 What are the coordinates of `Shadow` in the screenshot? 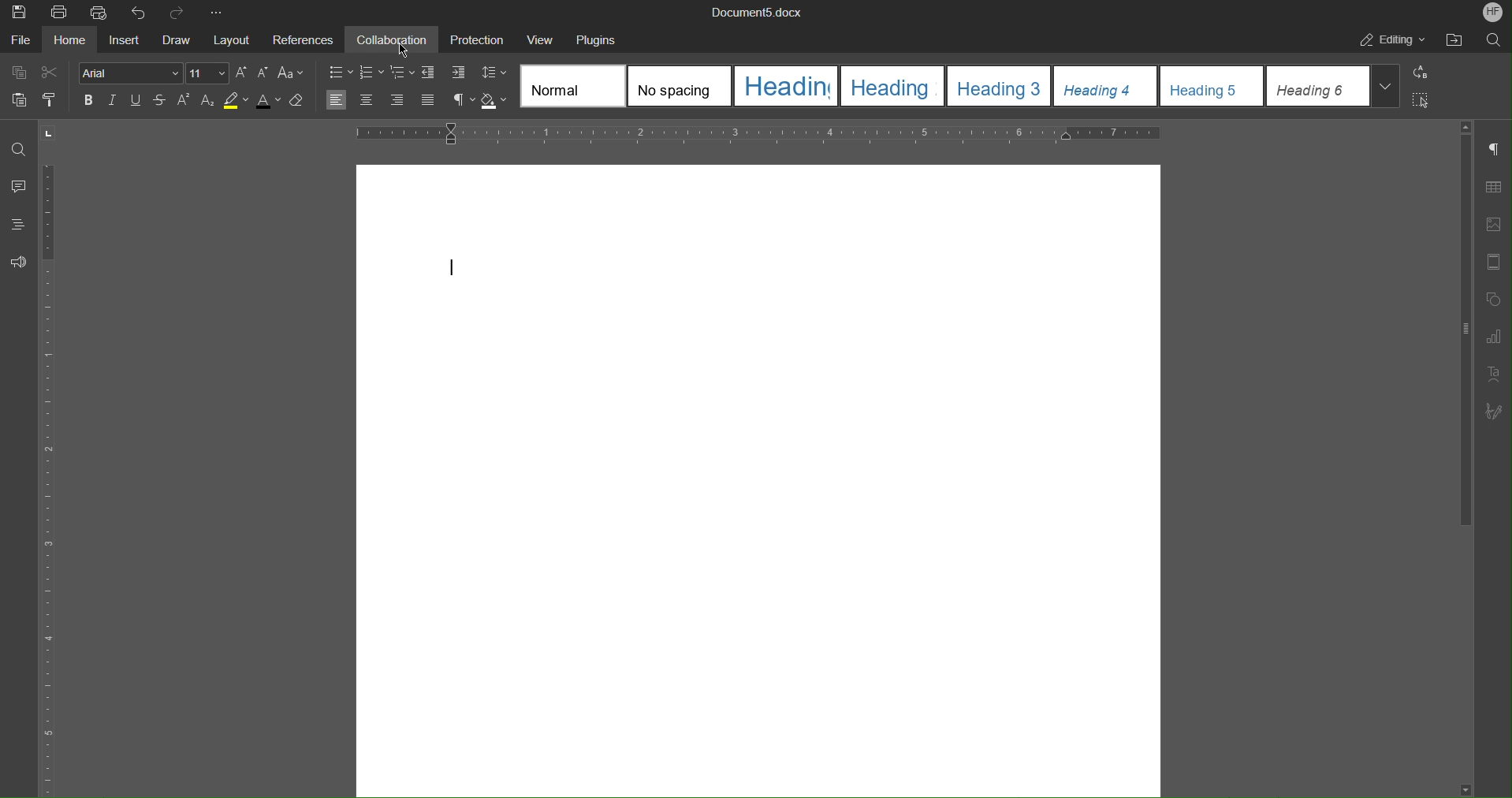 It's located at (497, 102).